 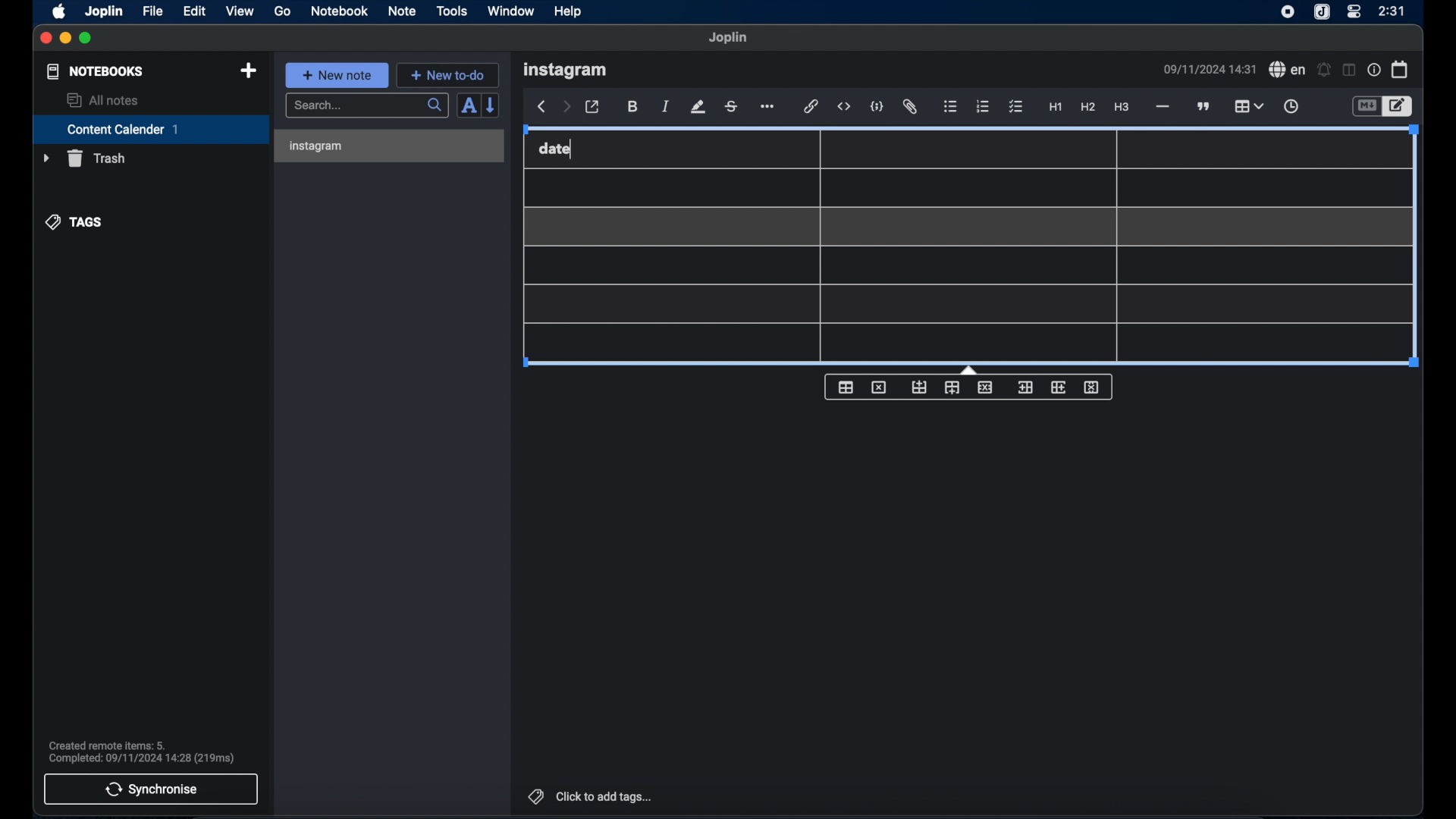 What do you see at coordinates (318, 146) in the screenshot?
I see `instagram` at bounding box center [318, 146].